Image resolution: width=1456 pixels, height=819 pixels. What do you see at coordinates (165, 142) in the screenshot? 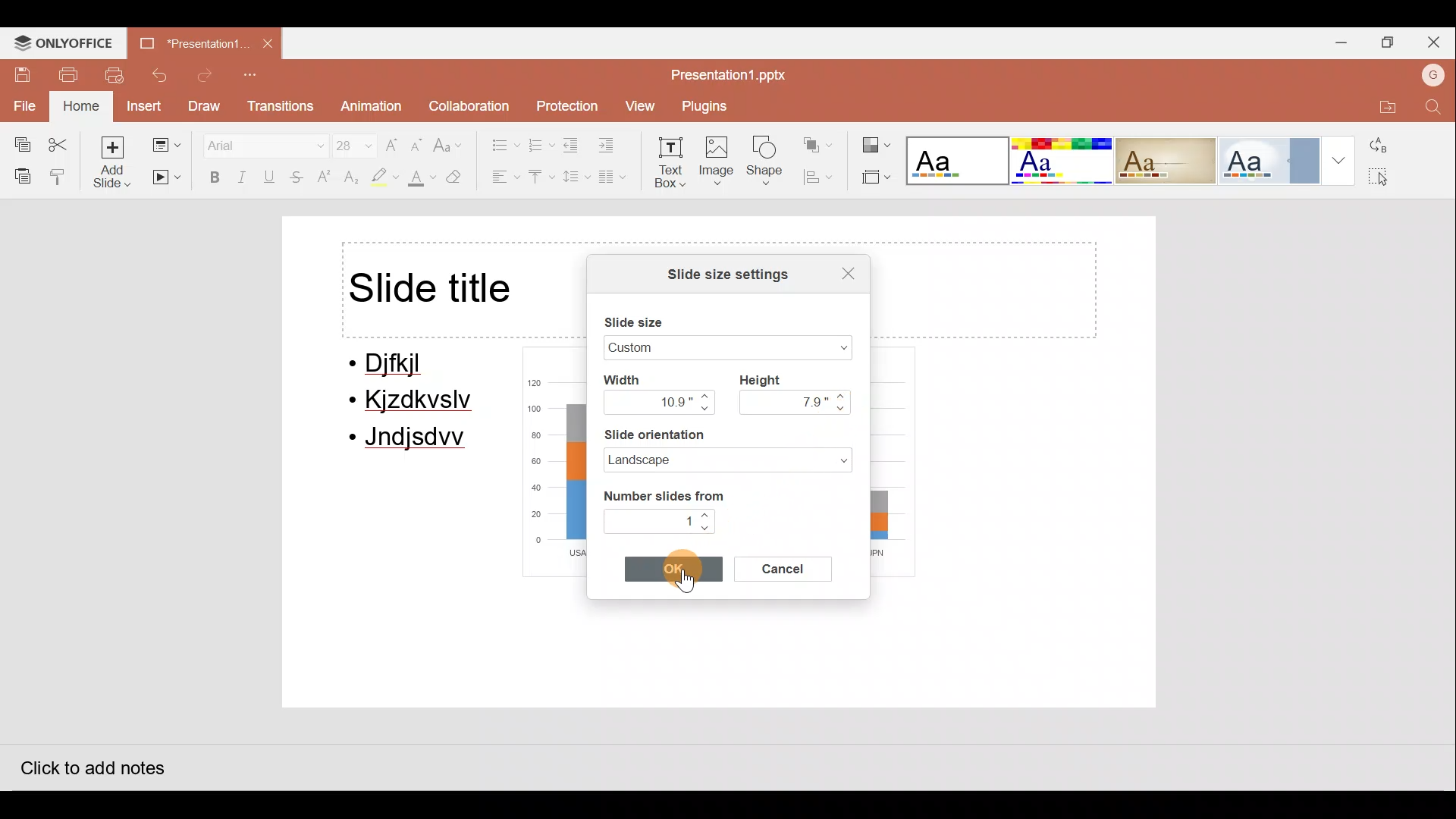
I see `Change slide layout` at bounding box center [165, 142].